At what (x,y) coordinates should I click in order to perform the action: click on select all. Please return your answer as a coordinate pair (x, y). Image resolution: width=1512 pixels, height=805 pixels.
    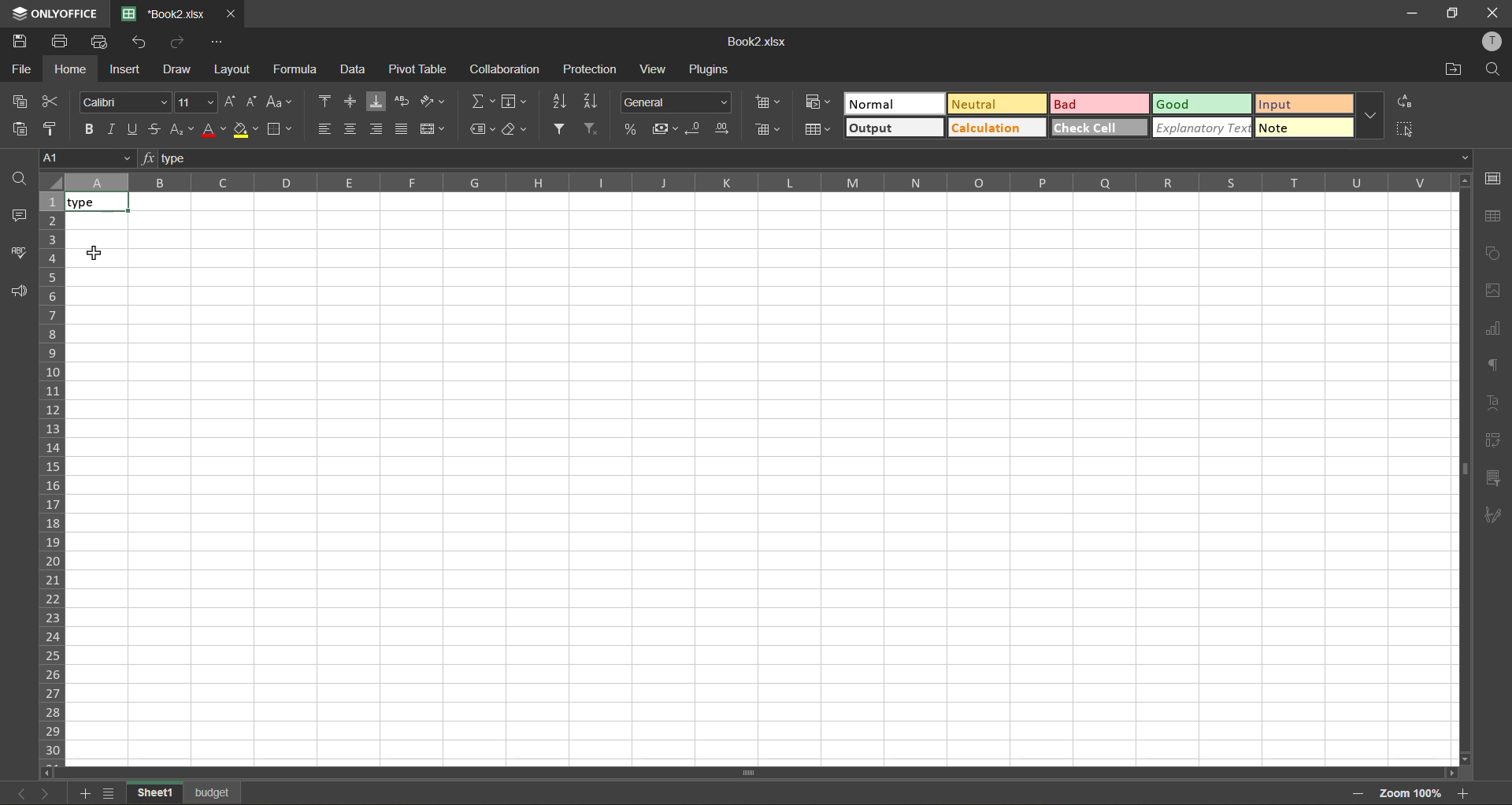
    Looking at the image, I should click on (1406, 131).